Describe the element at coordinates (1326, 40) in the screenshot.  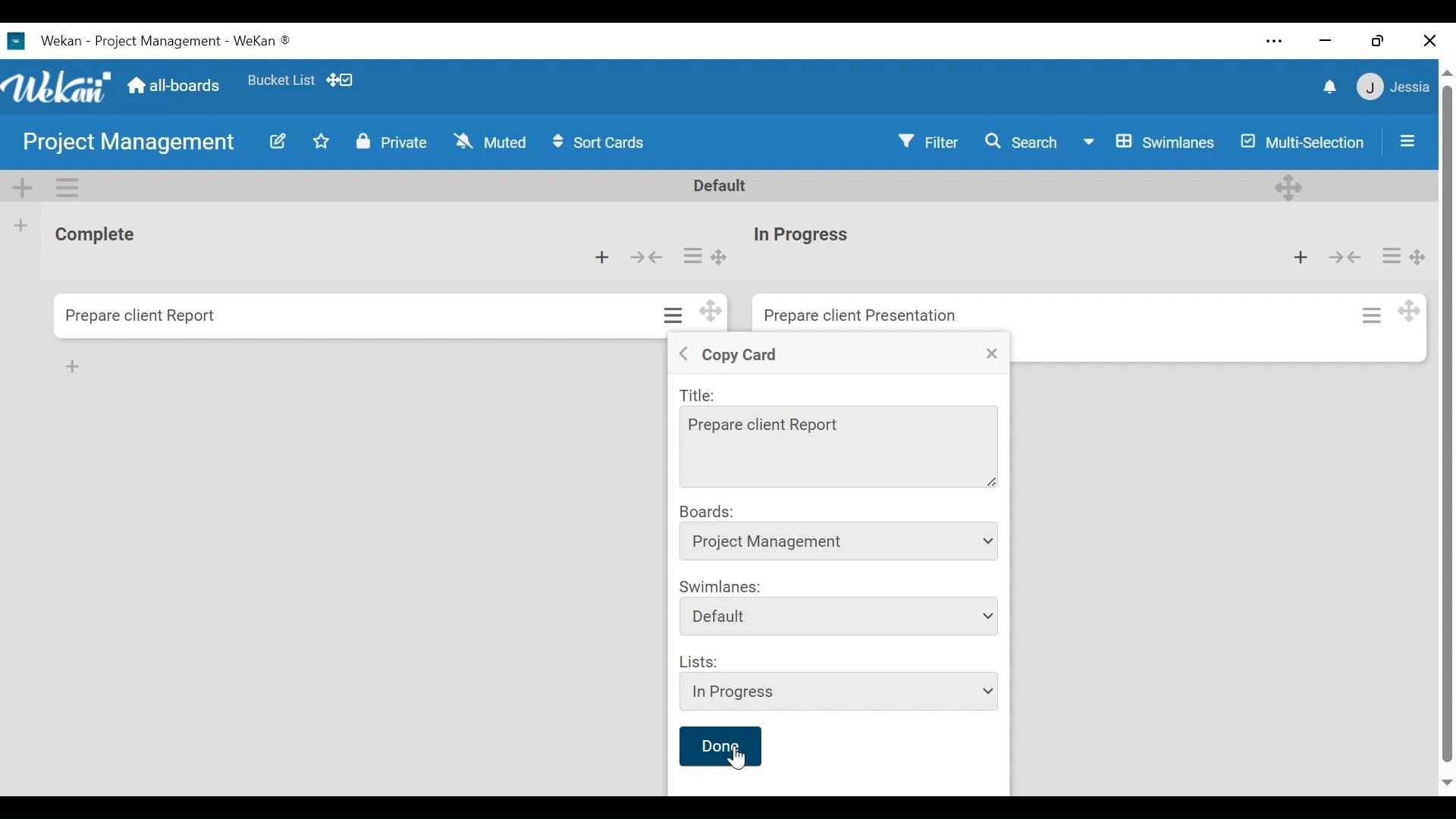
I see `minimize` at that location.